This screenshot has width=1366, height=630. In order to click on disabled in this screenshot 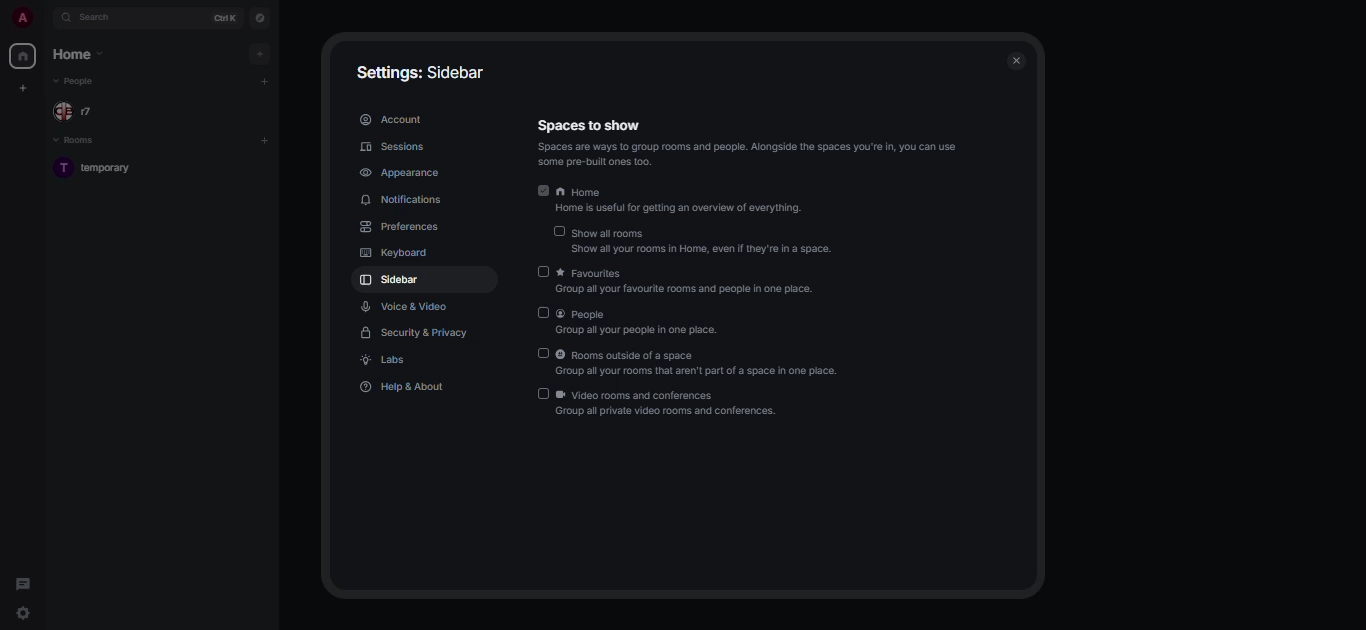, I will do `click(546, 271)`.